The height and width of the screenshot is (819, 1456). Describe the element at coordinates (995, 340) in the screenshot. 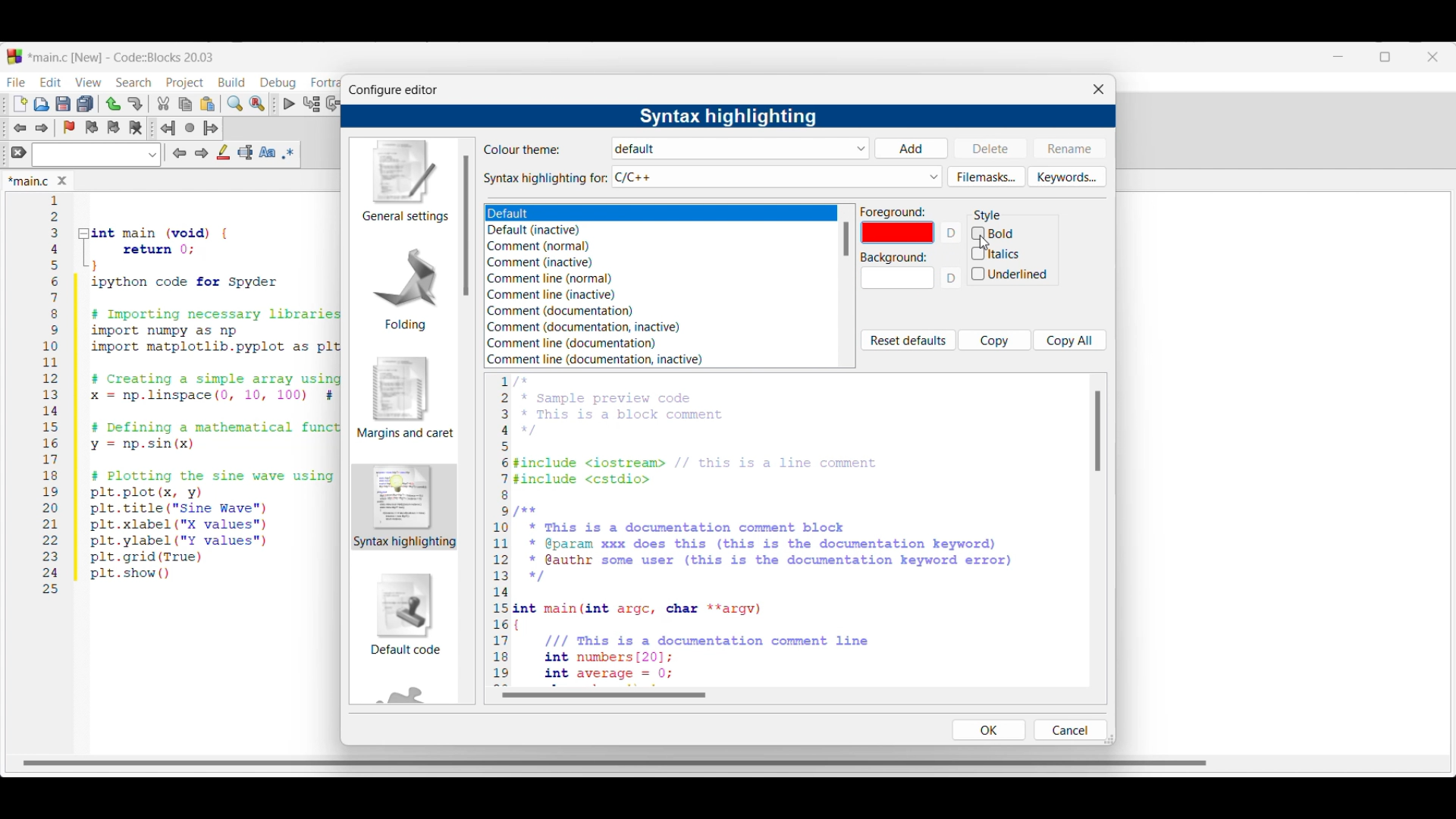

I see `Copy` at that location.